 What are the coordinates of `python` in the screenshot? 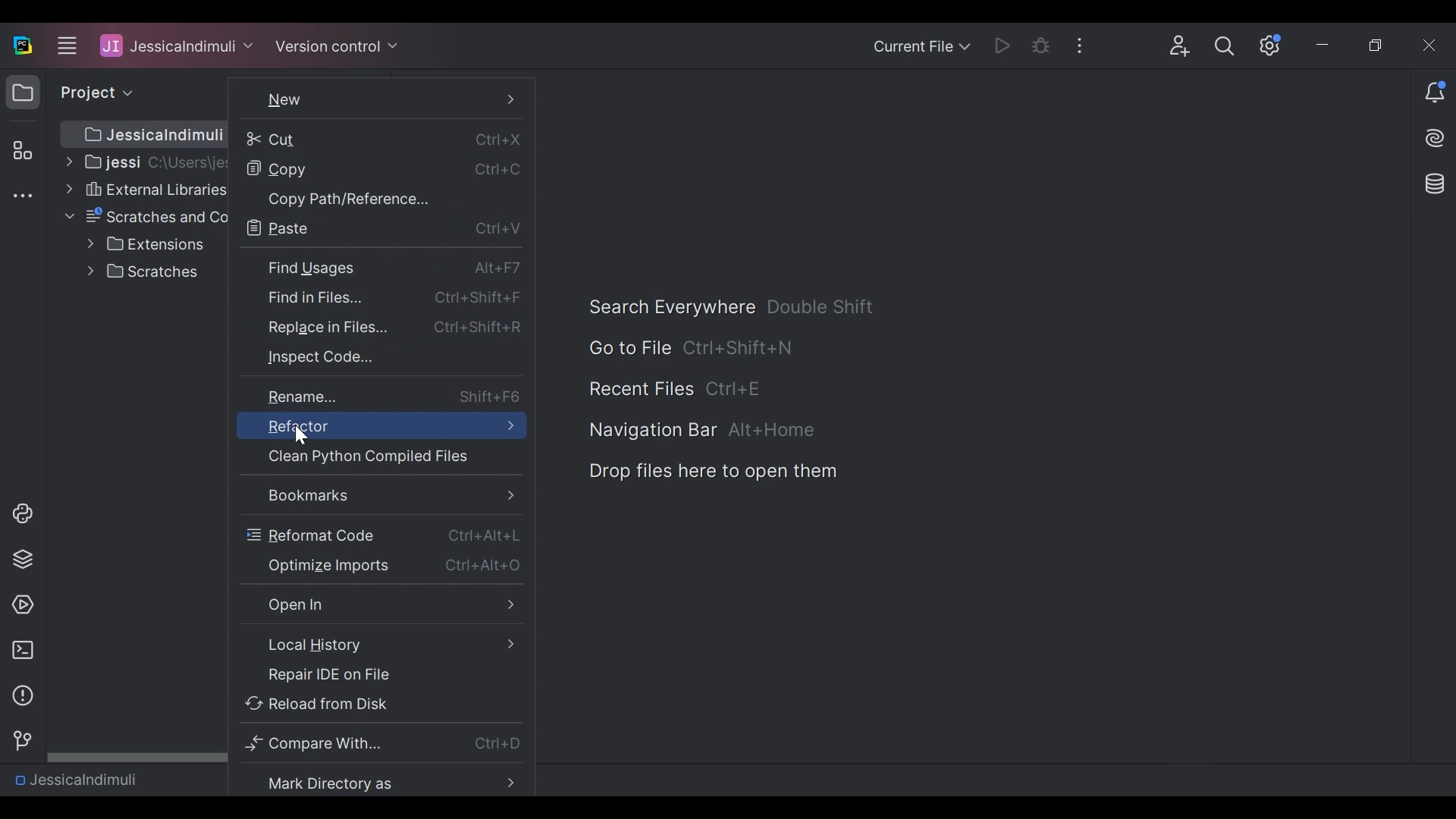 It's located at (22, 513).